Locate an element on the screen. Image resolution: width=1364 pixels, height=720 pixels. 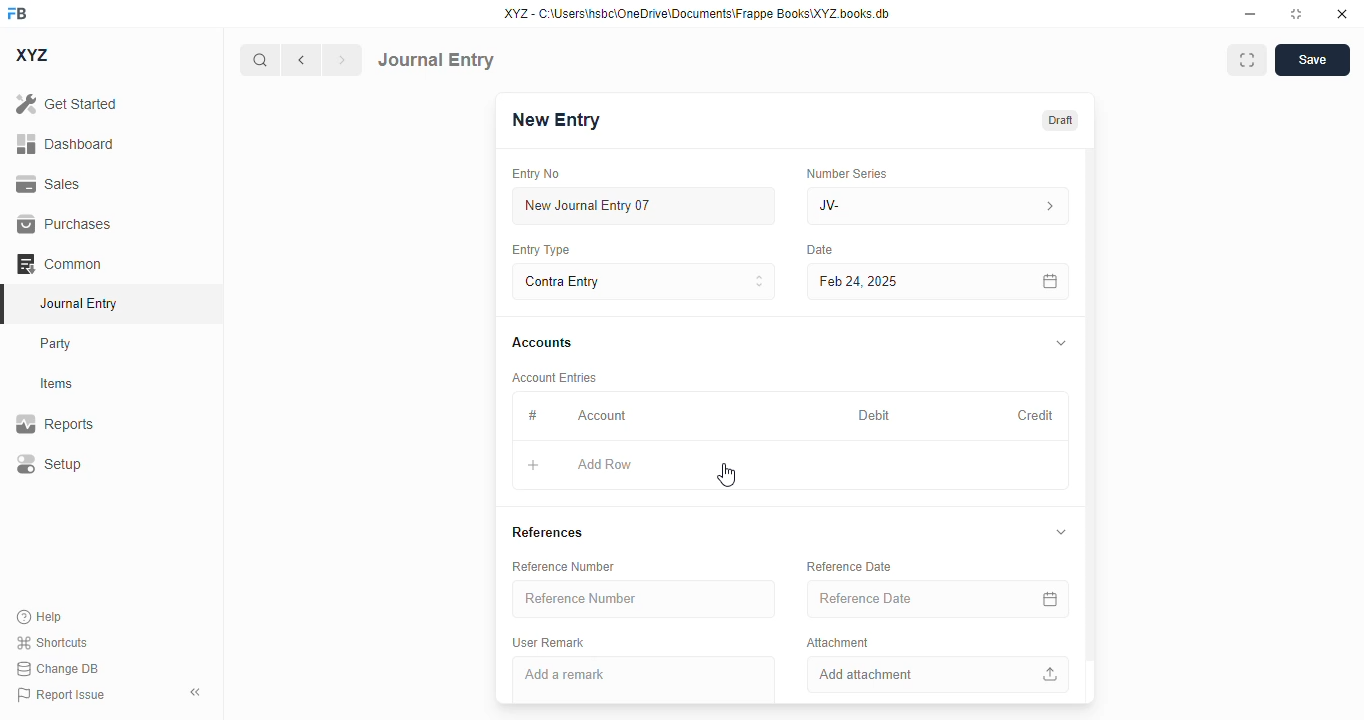
add row is located at coordinates (604, 464).